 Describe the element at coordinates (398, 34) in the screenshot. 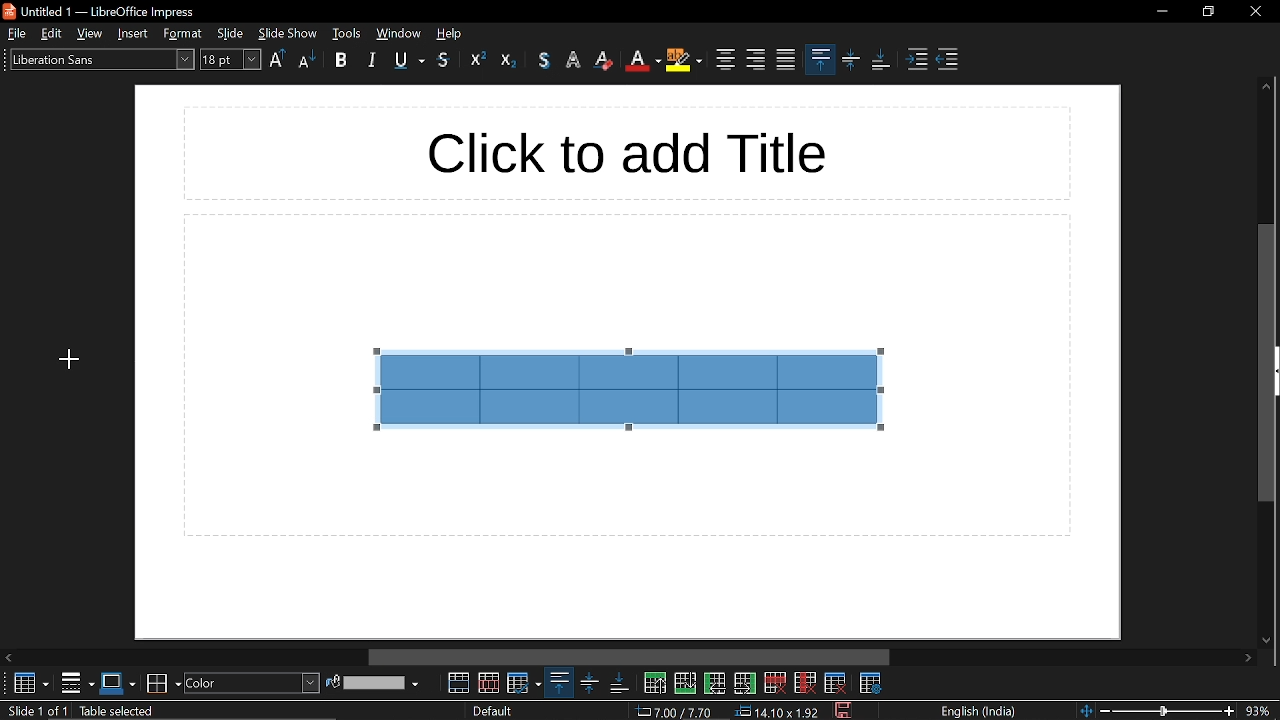

I see `window` at that location.